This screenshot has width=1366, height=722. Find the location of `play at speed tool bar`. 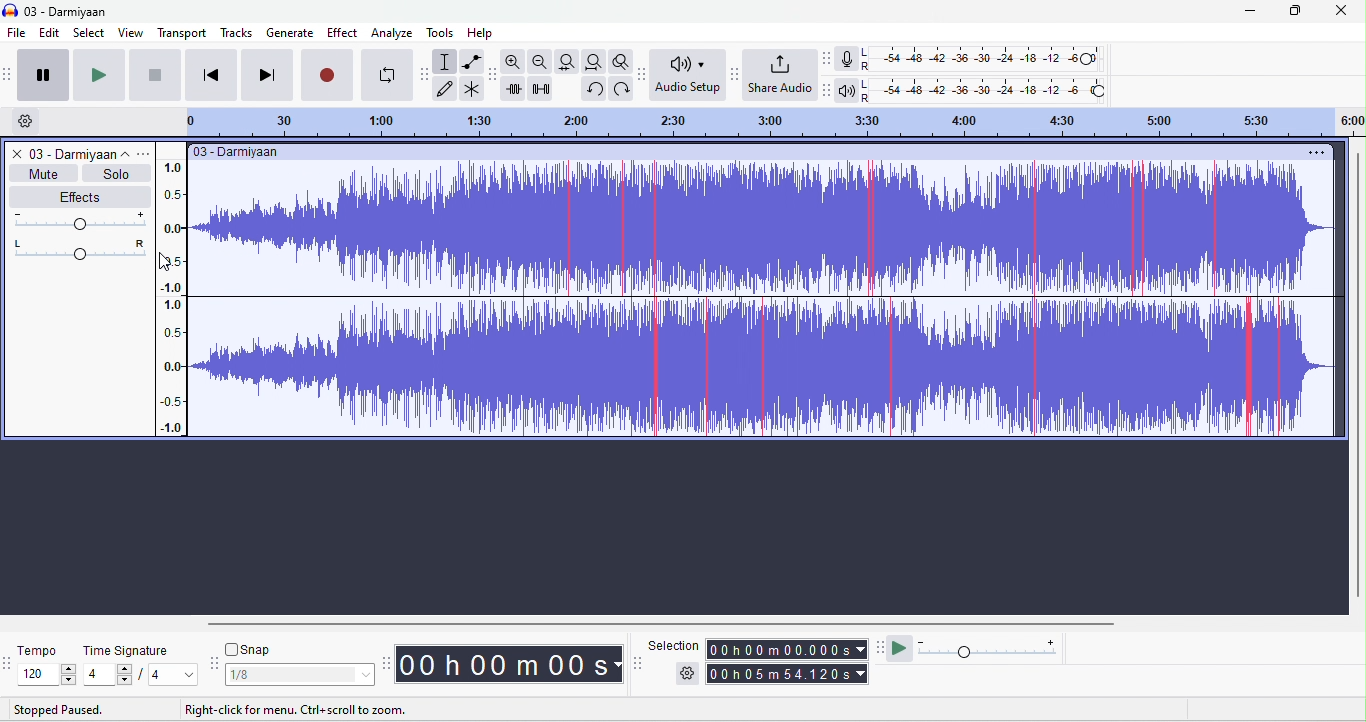

play at speed tool bar is located at coordinates (881, 648).